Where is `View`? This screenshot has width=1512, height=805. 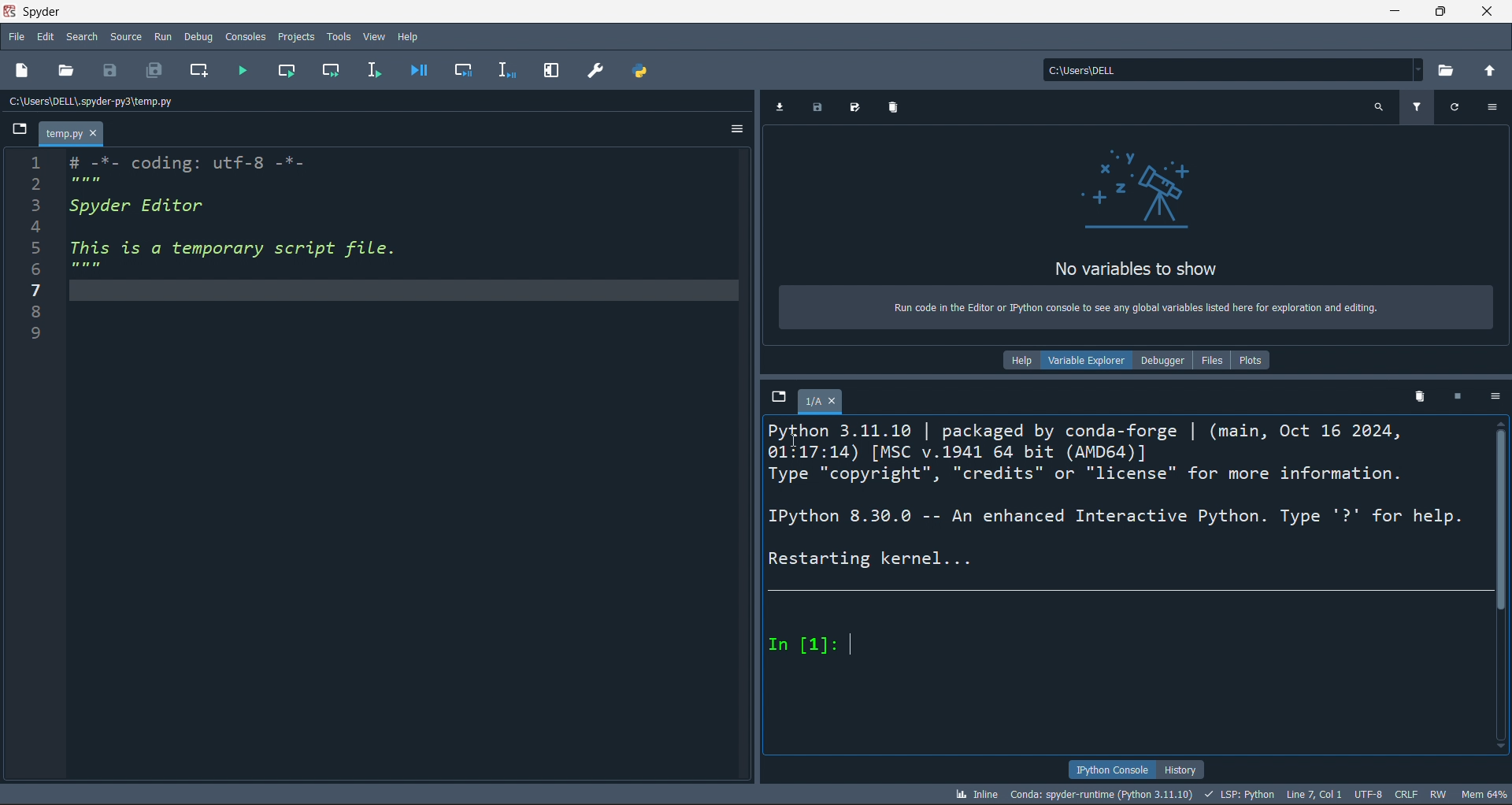
View is located at coordinates (372, 37).